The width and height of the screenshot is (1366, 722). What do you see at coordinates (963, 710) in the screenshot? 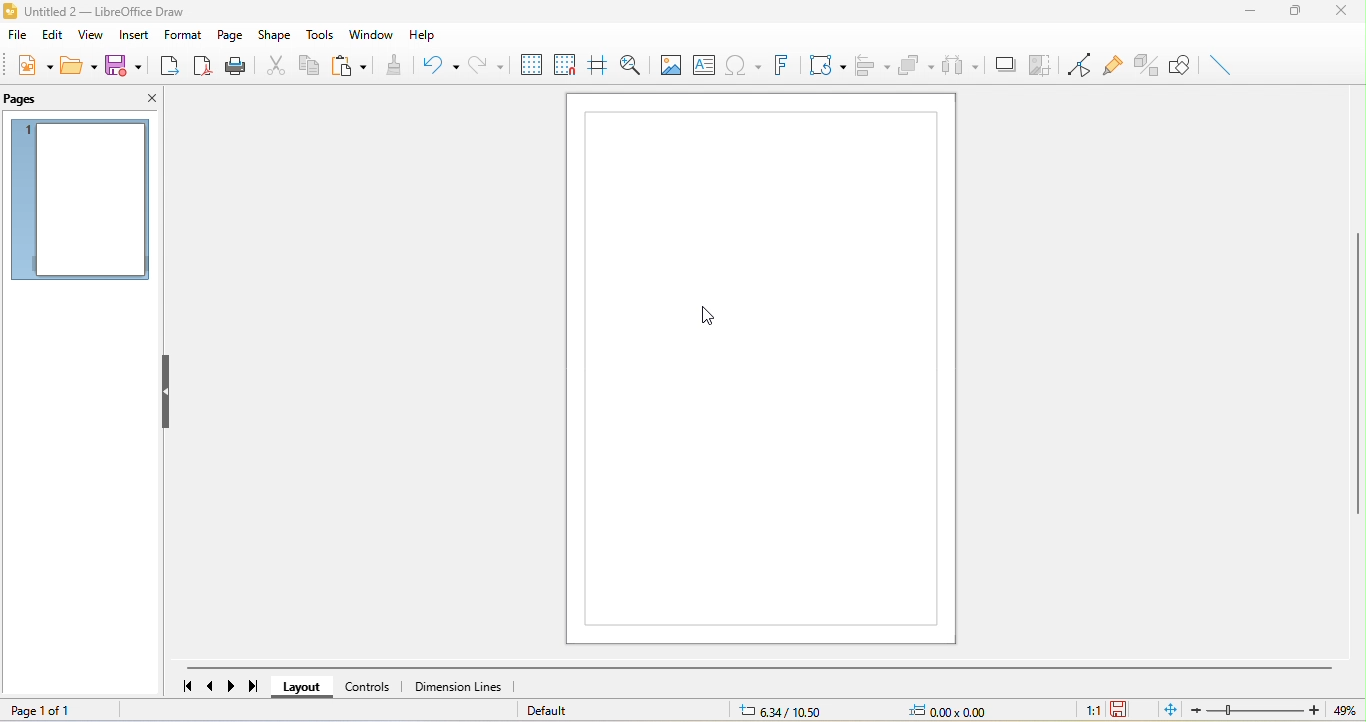
I see `0.00x0.00` at bounding box center [963, 710].